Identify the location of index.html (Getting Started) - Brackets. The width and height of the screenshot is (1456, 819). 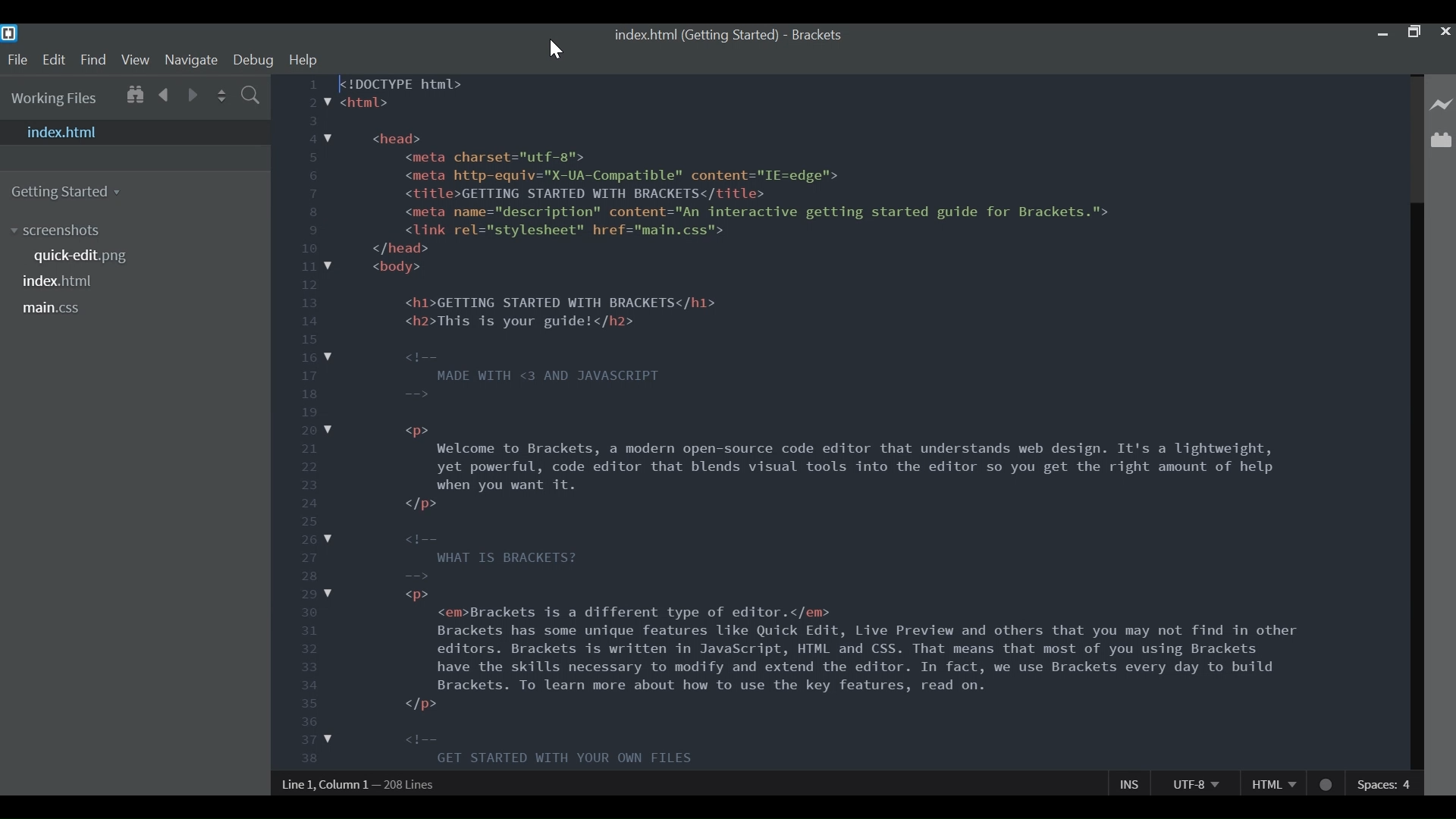
(731, 36).